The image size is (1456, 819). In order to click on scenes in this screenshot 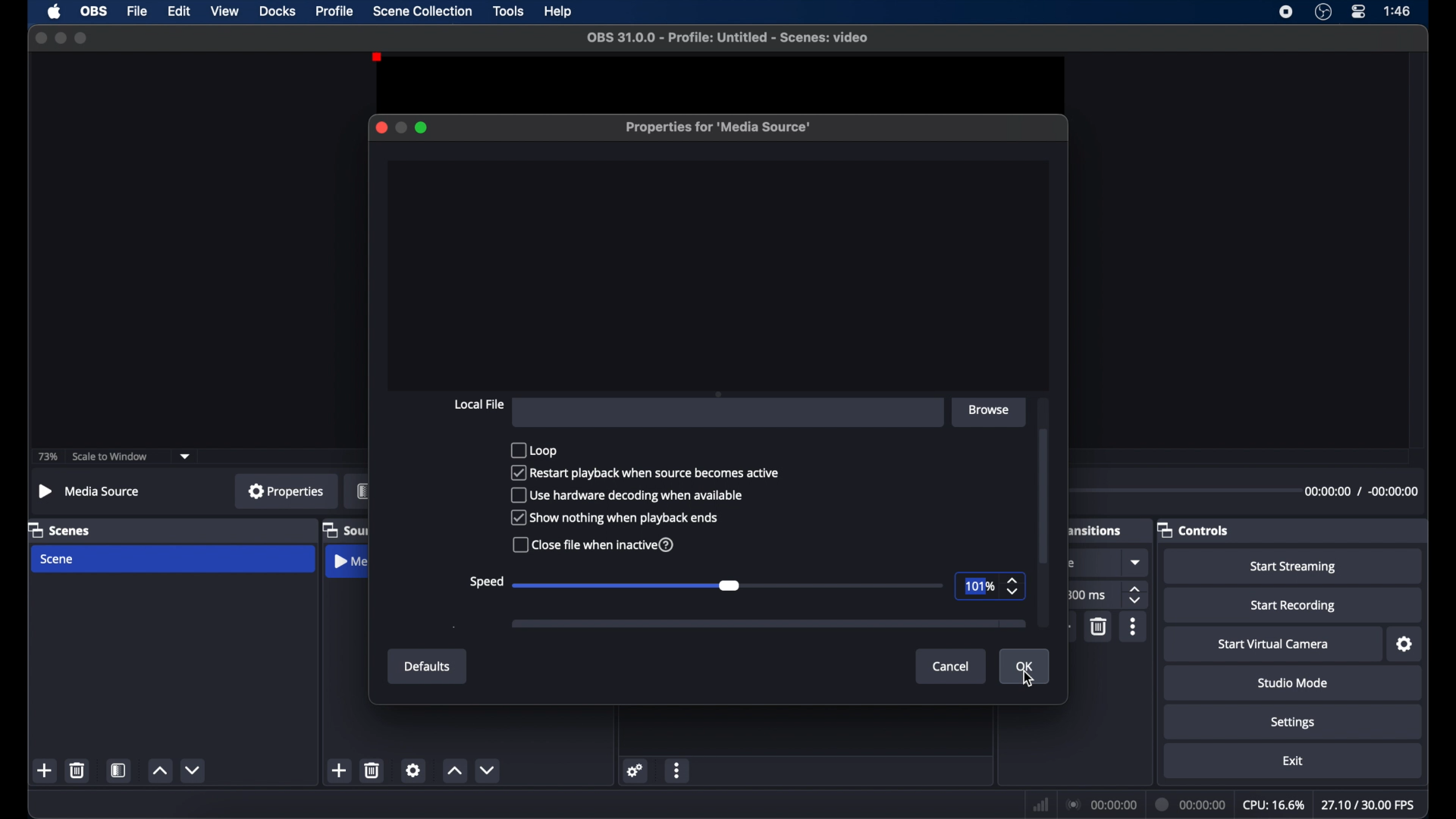, I will do `click(58, 531)`.